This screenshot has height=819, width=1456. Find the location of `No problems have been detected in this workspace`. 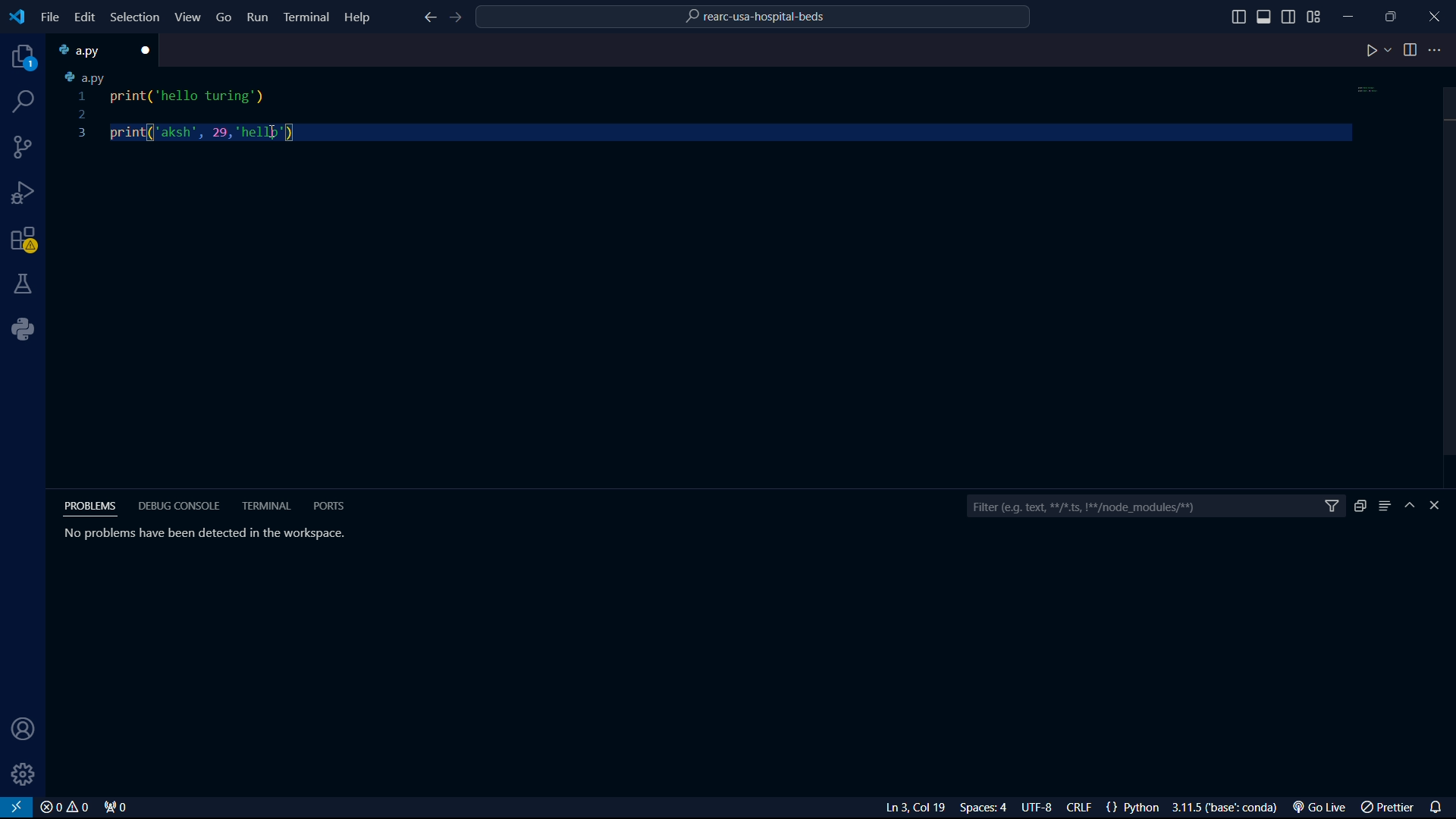

No problems have been detected in this workspace is located at coordinates (202, 532).